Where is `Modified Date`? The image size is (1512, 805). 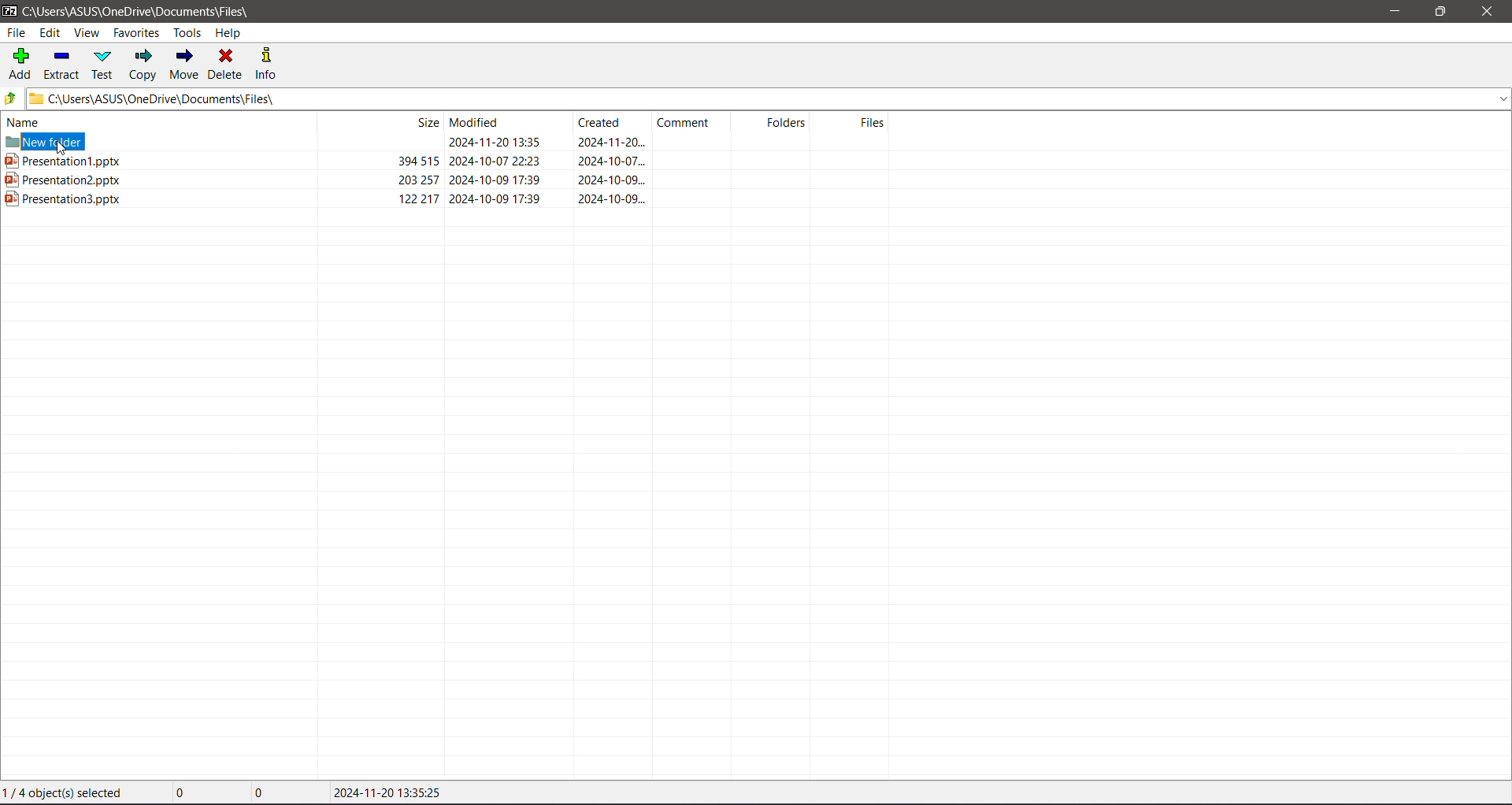
Modified Date is located at coordinates (509, 122).